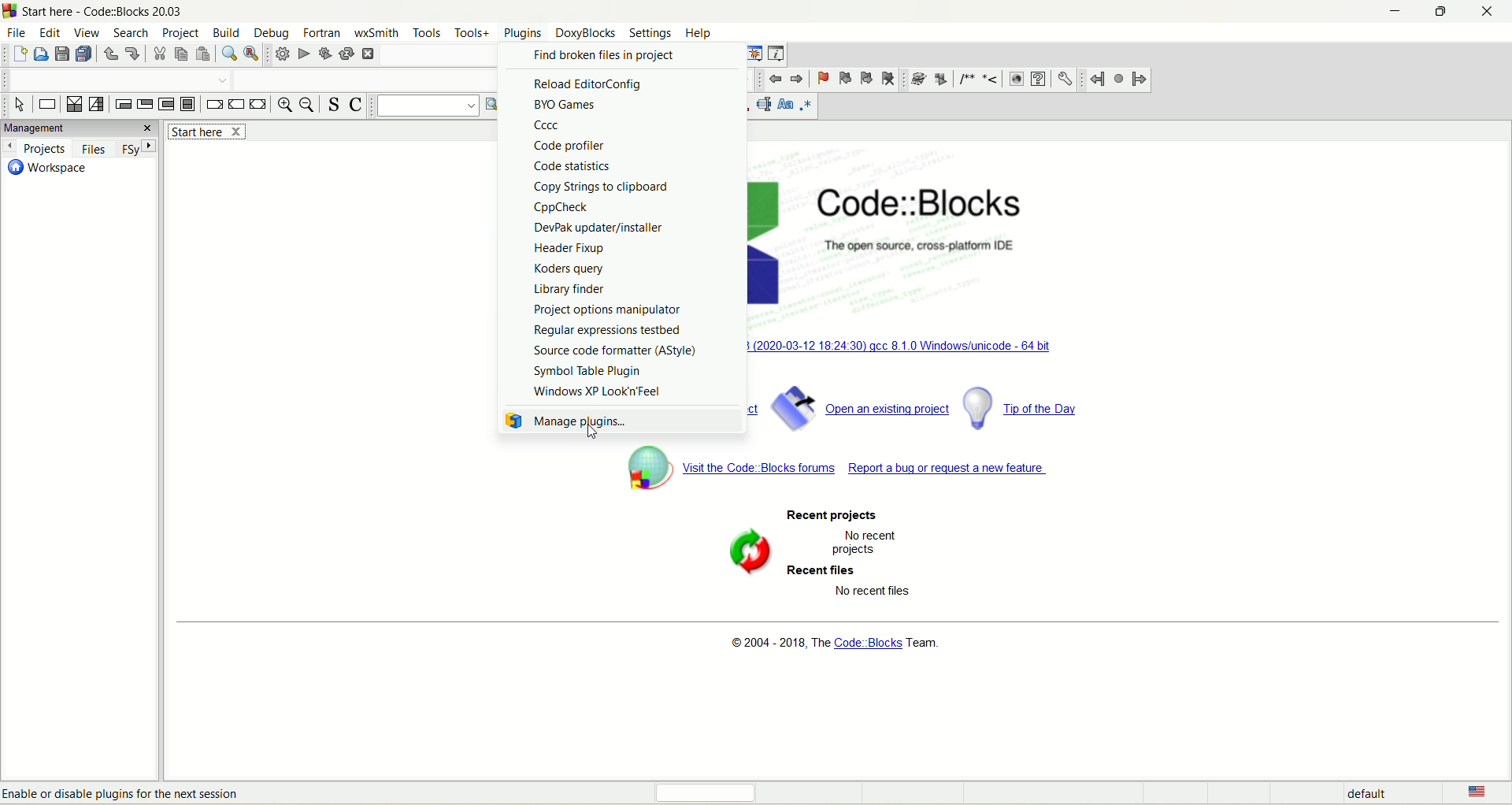 The height and width of the screenshot is (805, 1512). What do you see at coordinates (567, 106) in the screenshot?
I see `BYO games` at bounding box center [567, 106].